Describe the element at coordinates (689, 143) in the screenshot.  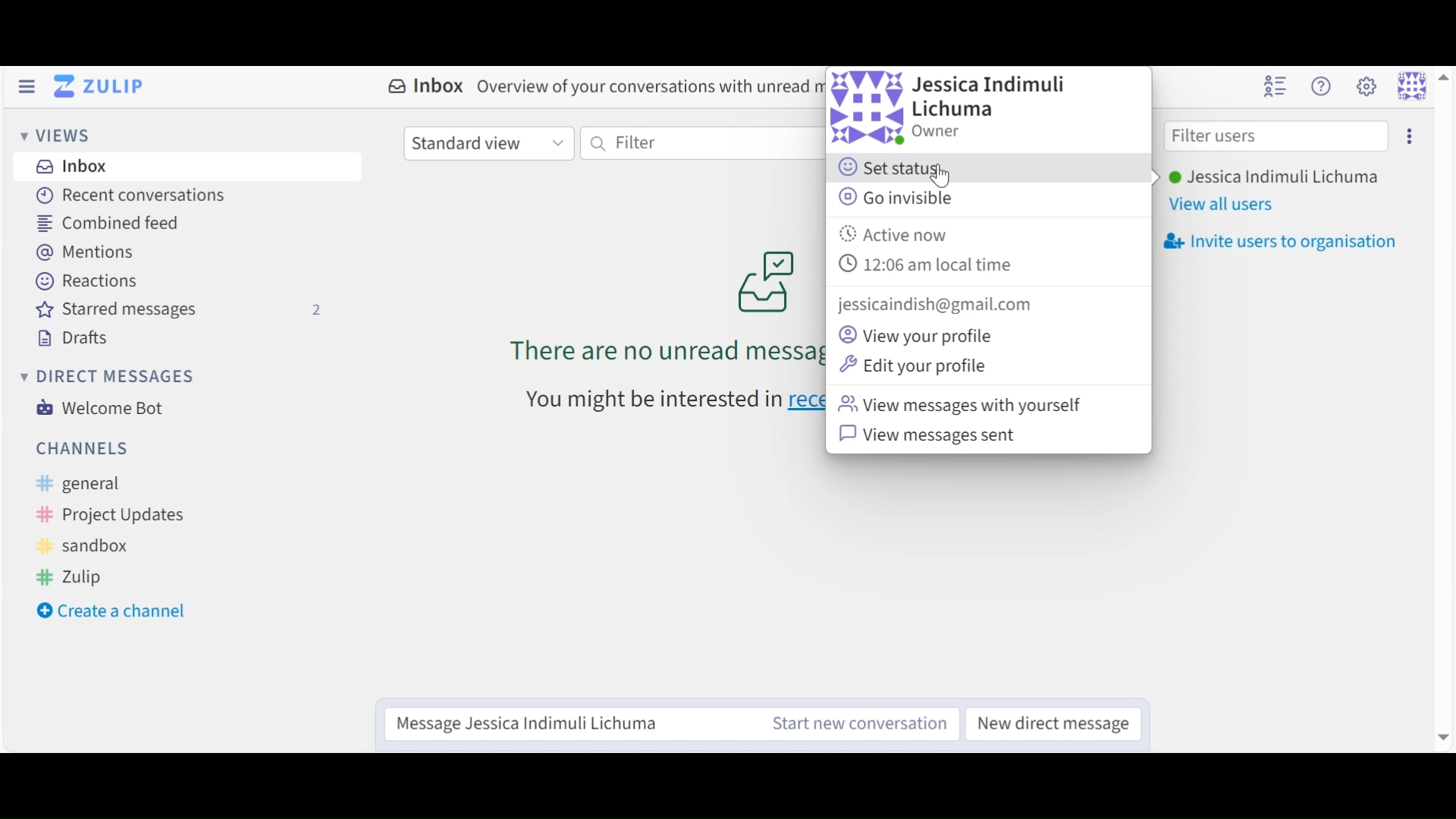
I see `Filte` at that location.